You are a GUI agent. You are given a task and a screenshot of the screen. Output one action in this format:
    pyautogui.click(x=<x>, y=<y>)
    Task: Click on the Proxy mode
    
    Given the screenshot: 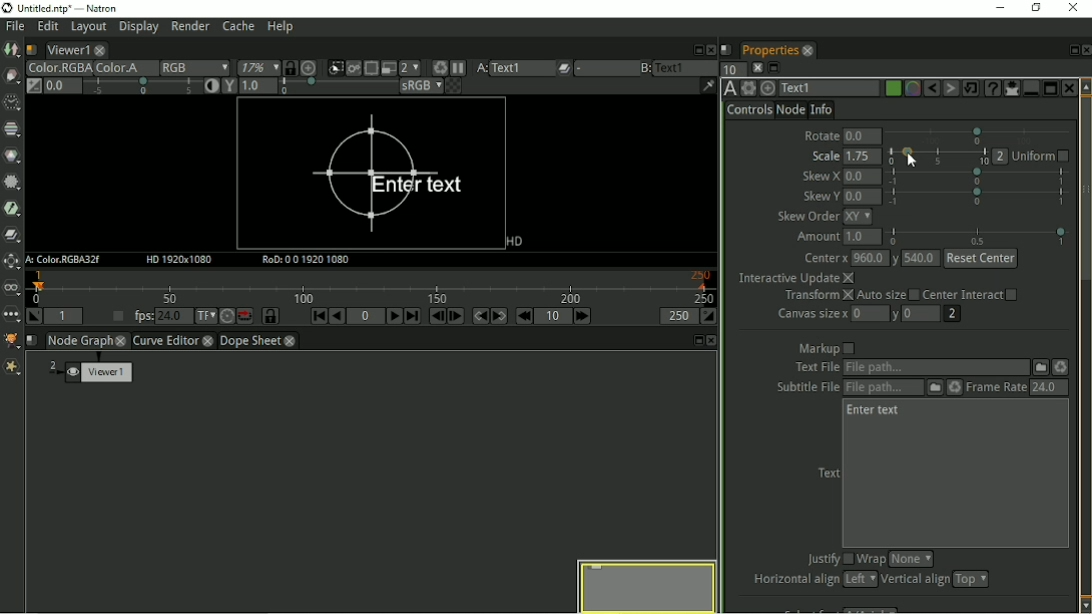 What is the action you would take?
    pyautogui.click(x=389, y=68)
    